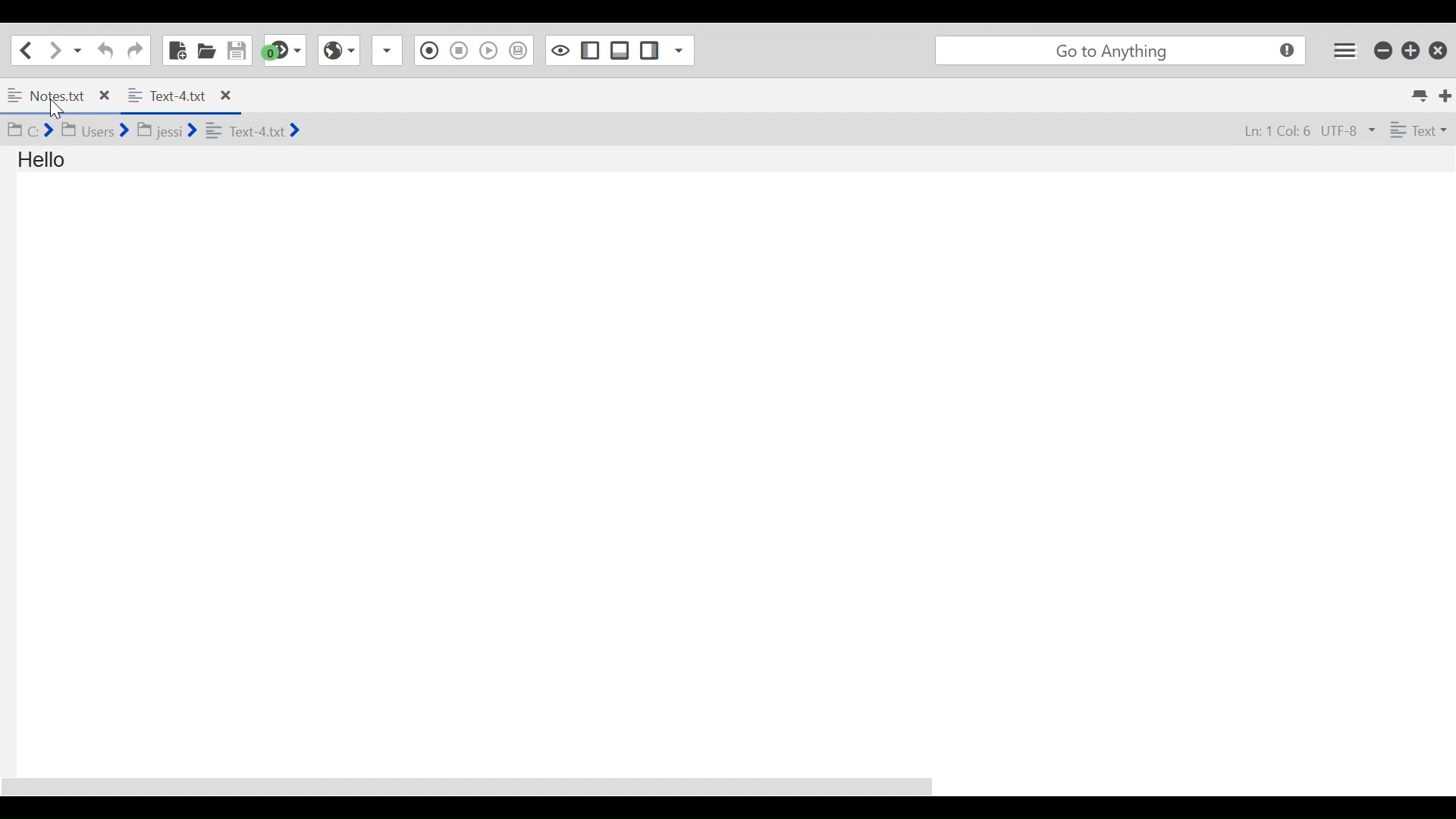  I want to click on Save, so click(237, 49).